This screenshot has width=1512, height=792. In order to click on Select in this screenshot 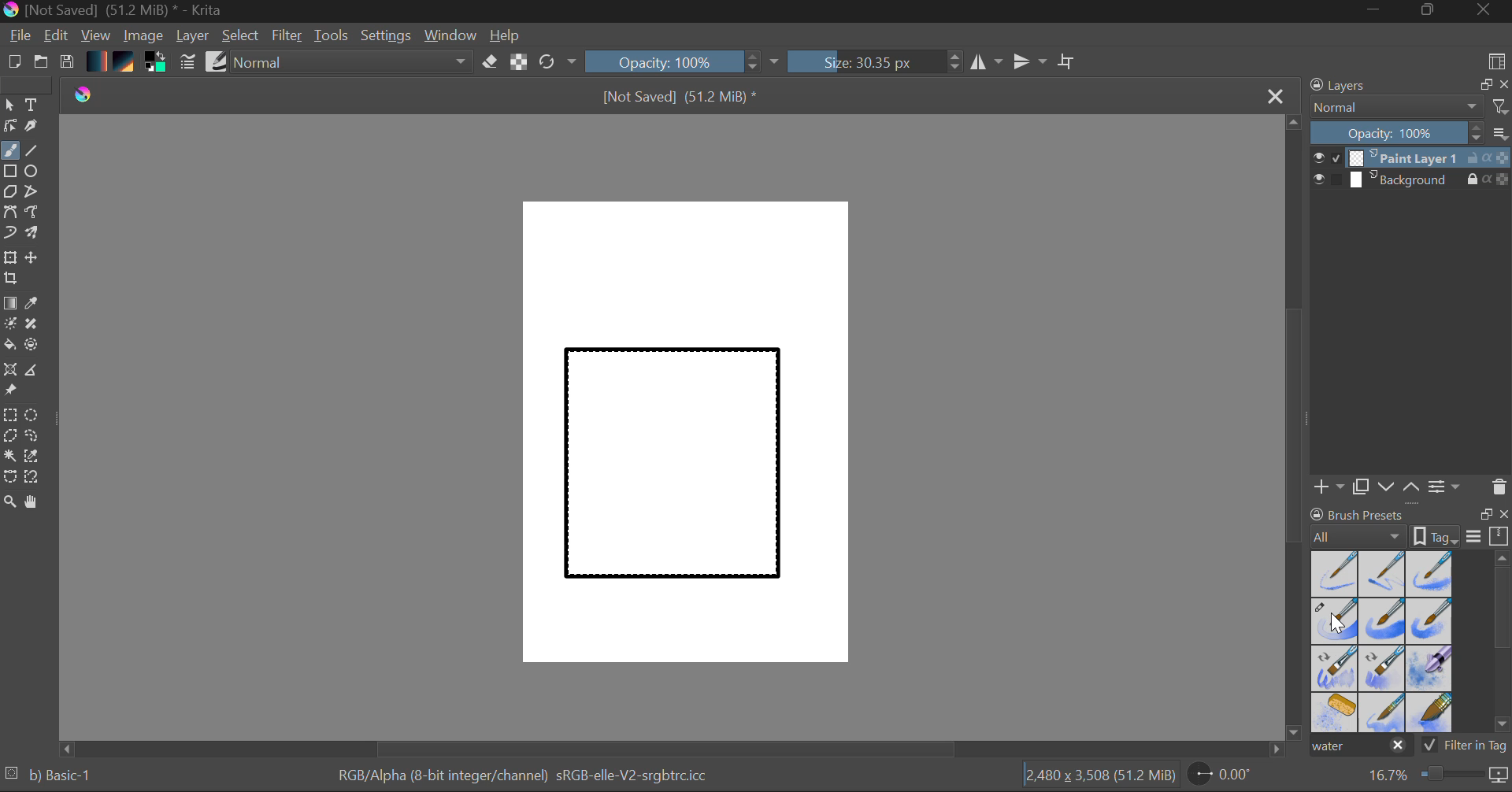, I will do `click(242, 36)`.